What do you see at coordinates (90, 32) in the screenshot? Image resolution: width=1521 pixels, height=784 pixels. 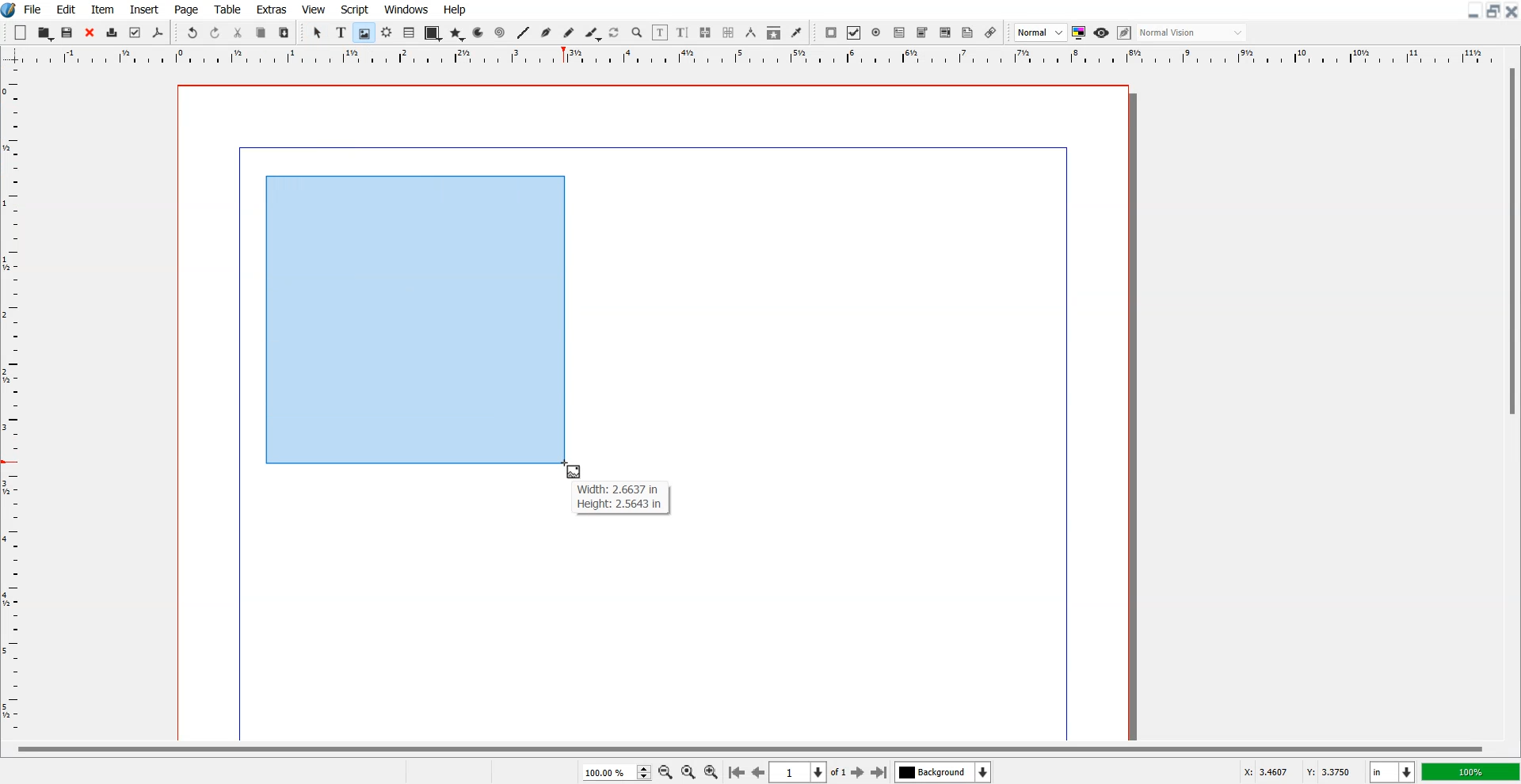 I see `Close` at bounding box center [90, 32].